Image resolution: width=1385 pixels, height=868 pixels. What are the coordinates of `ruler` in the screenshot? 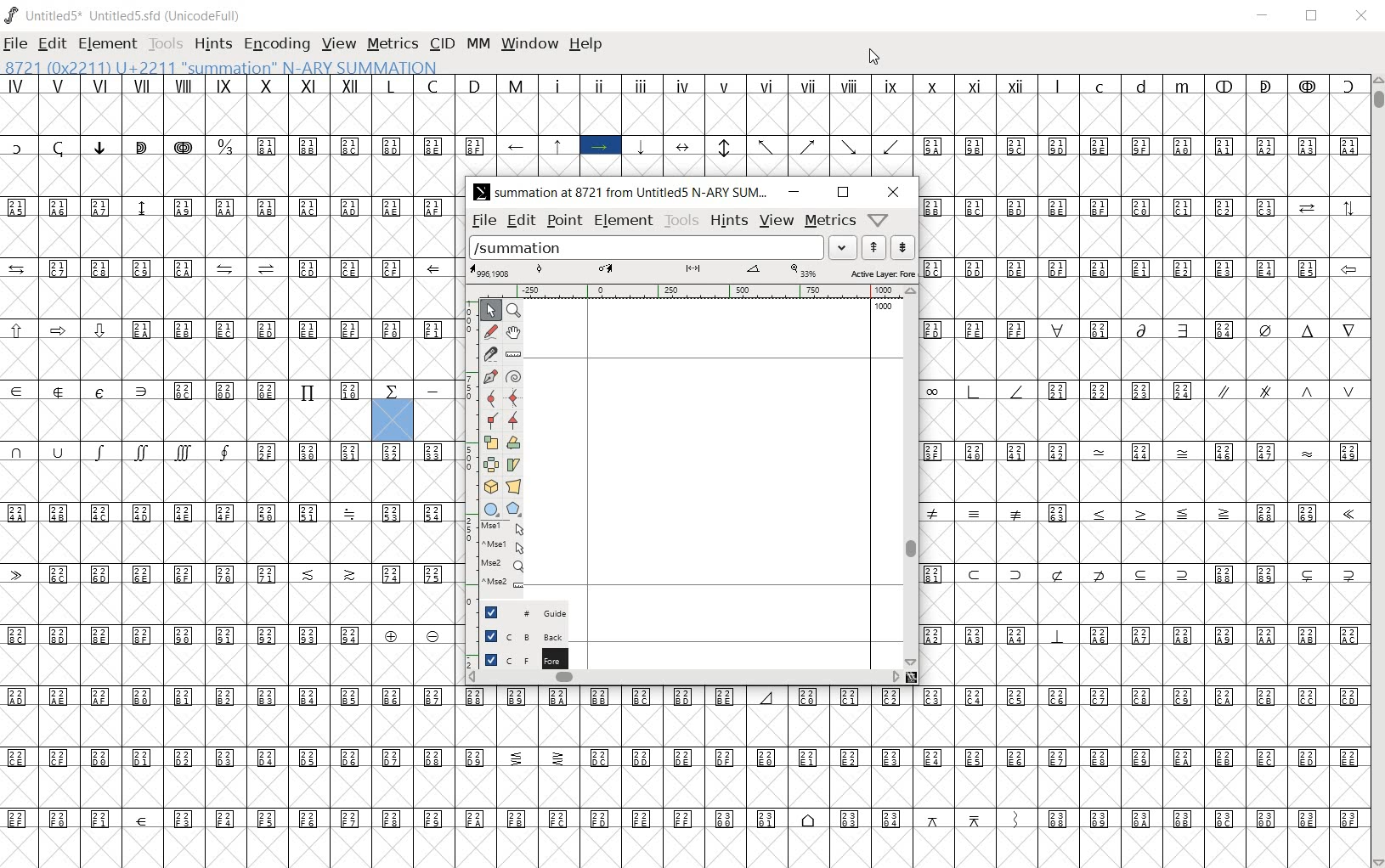 It's located at (708, 290).